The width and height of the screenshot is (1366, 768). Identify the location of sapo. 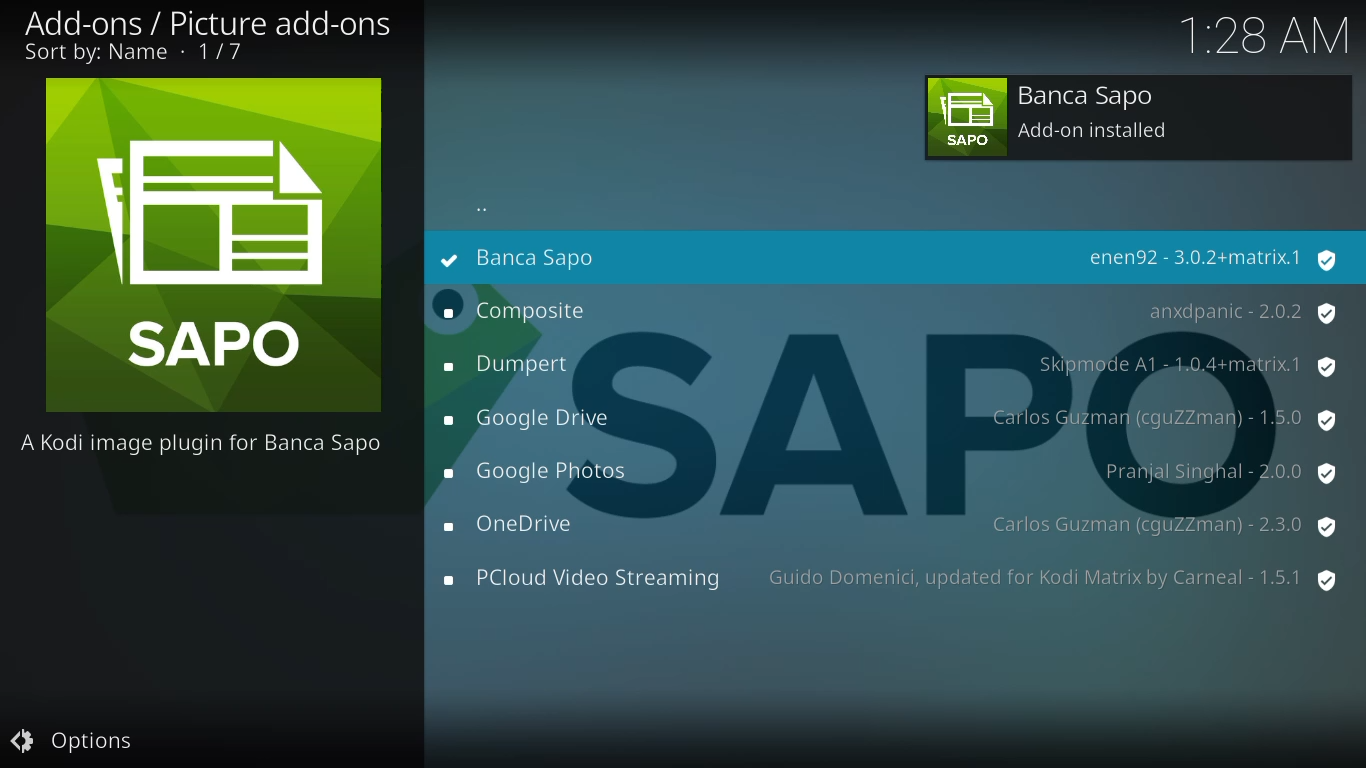
(217, 245).